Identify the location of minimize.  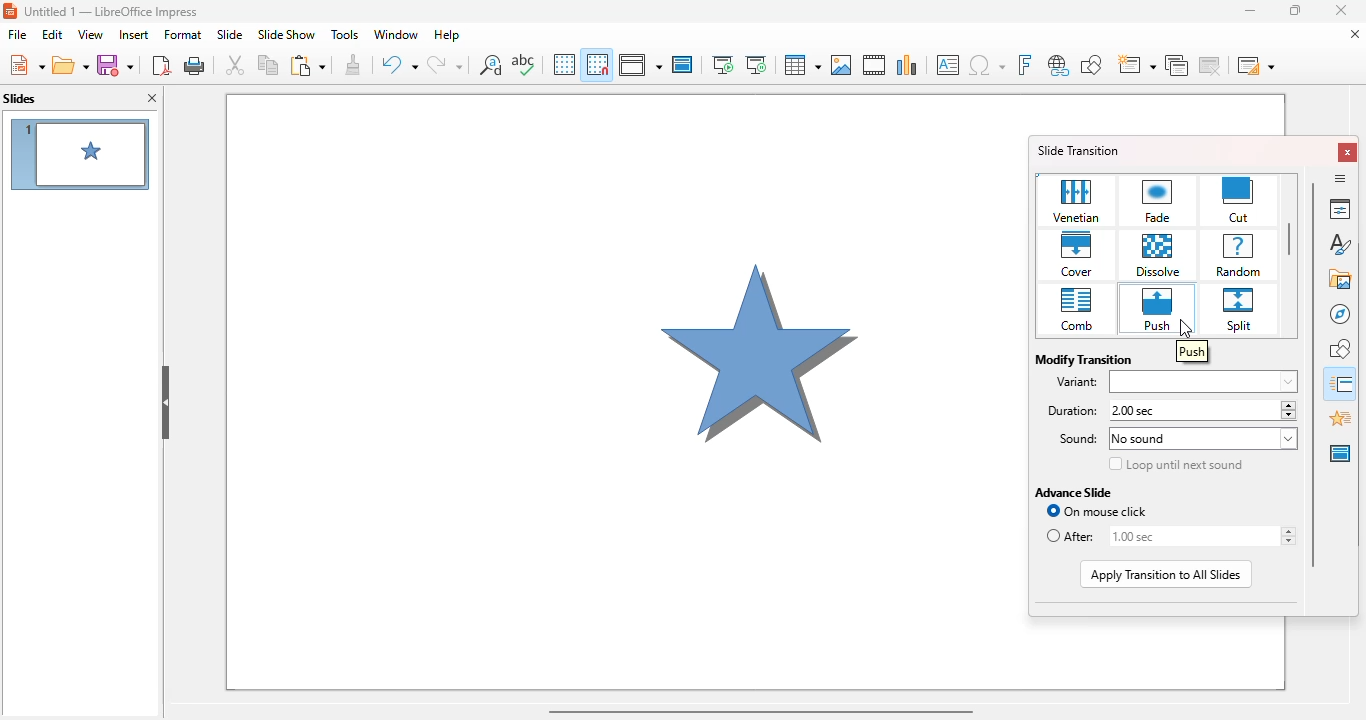
(1249, 10).